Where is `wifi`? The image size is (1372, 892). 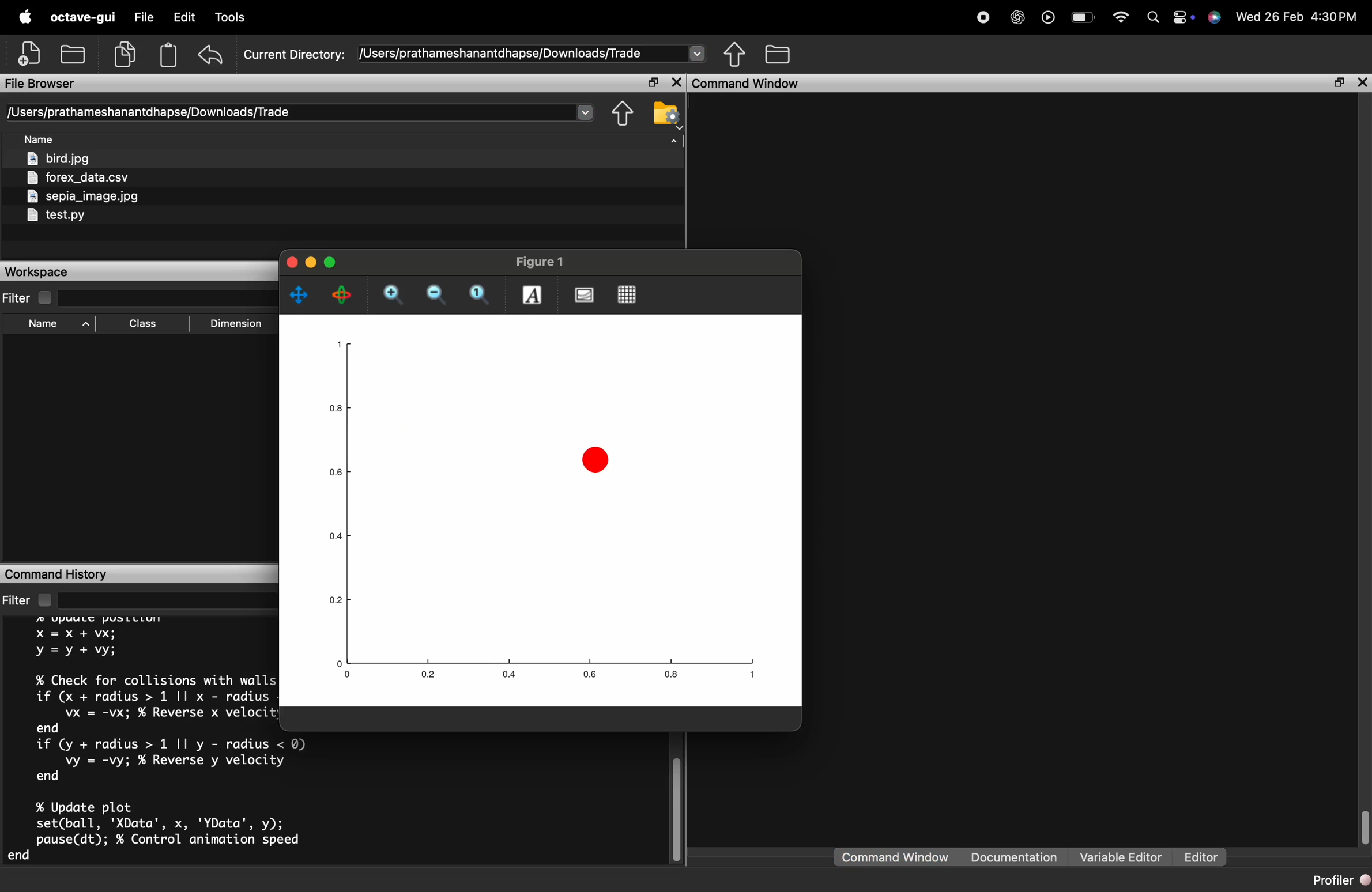
wifi is located at coordinates (1121, 20).